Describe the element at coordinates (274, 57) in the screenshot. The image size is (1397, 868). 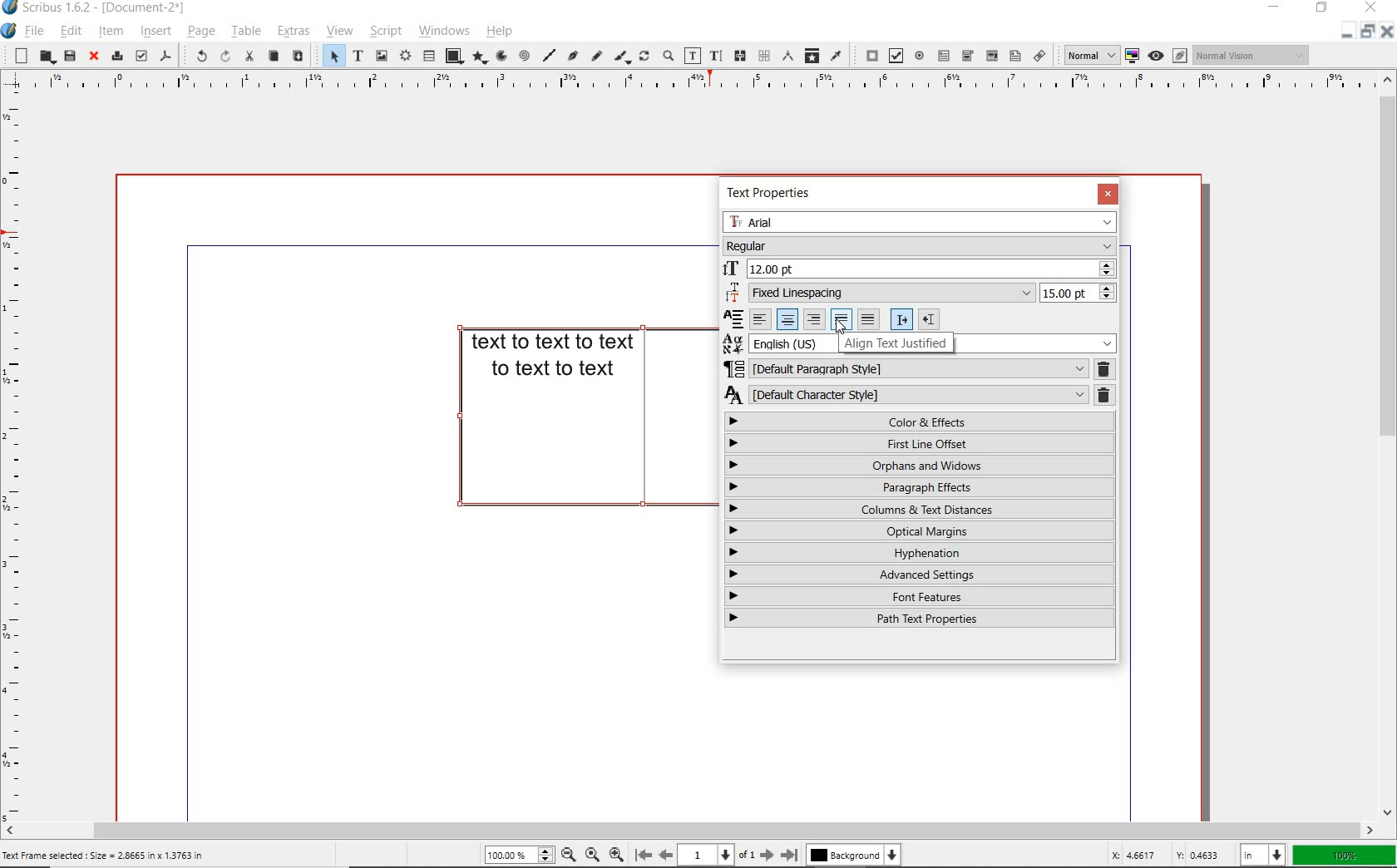
I see `copy` at that location.